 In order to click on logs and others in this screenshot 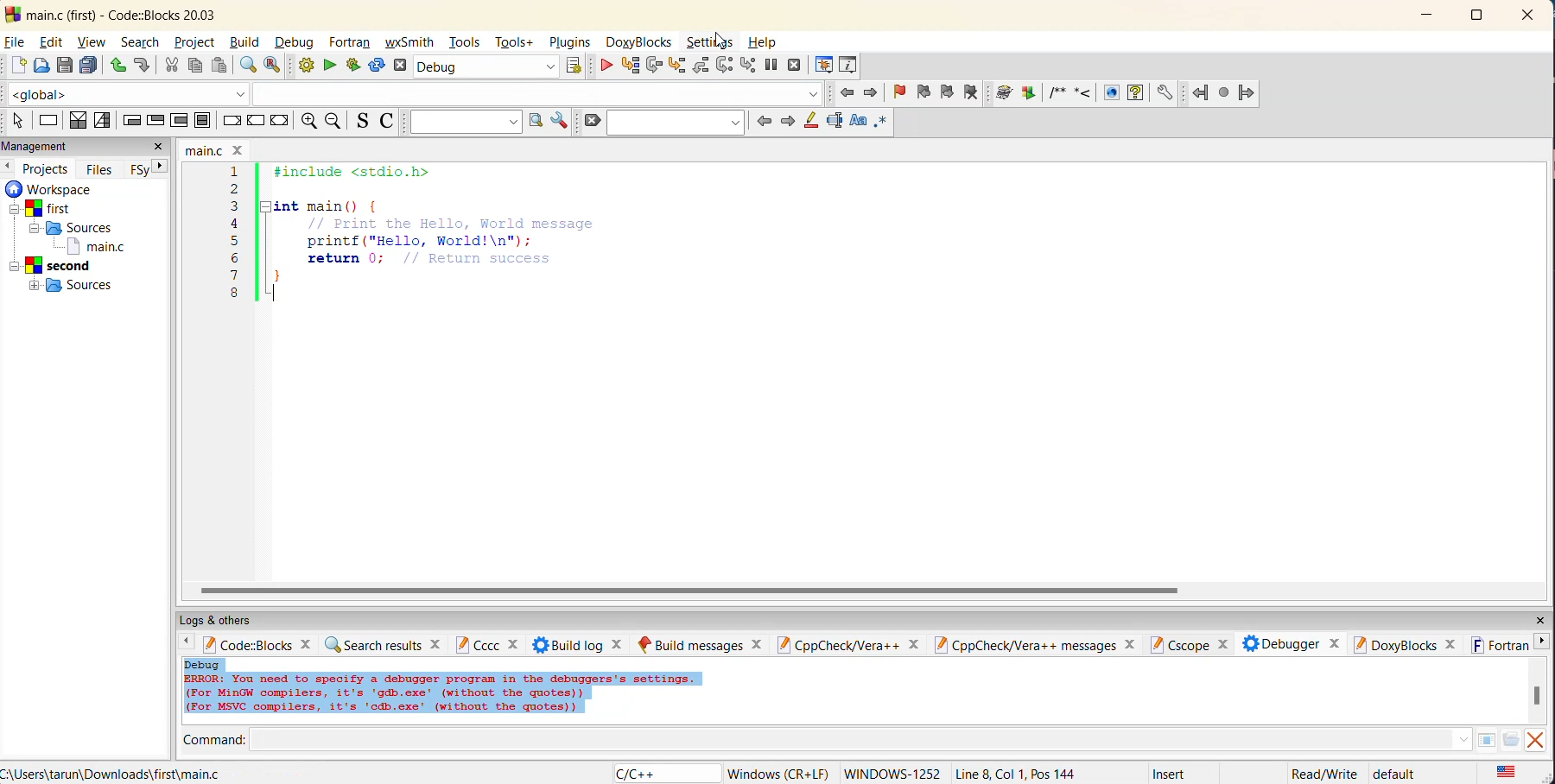, I will do `click(230, 620)`.